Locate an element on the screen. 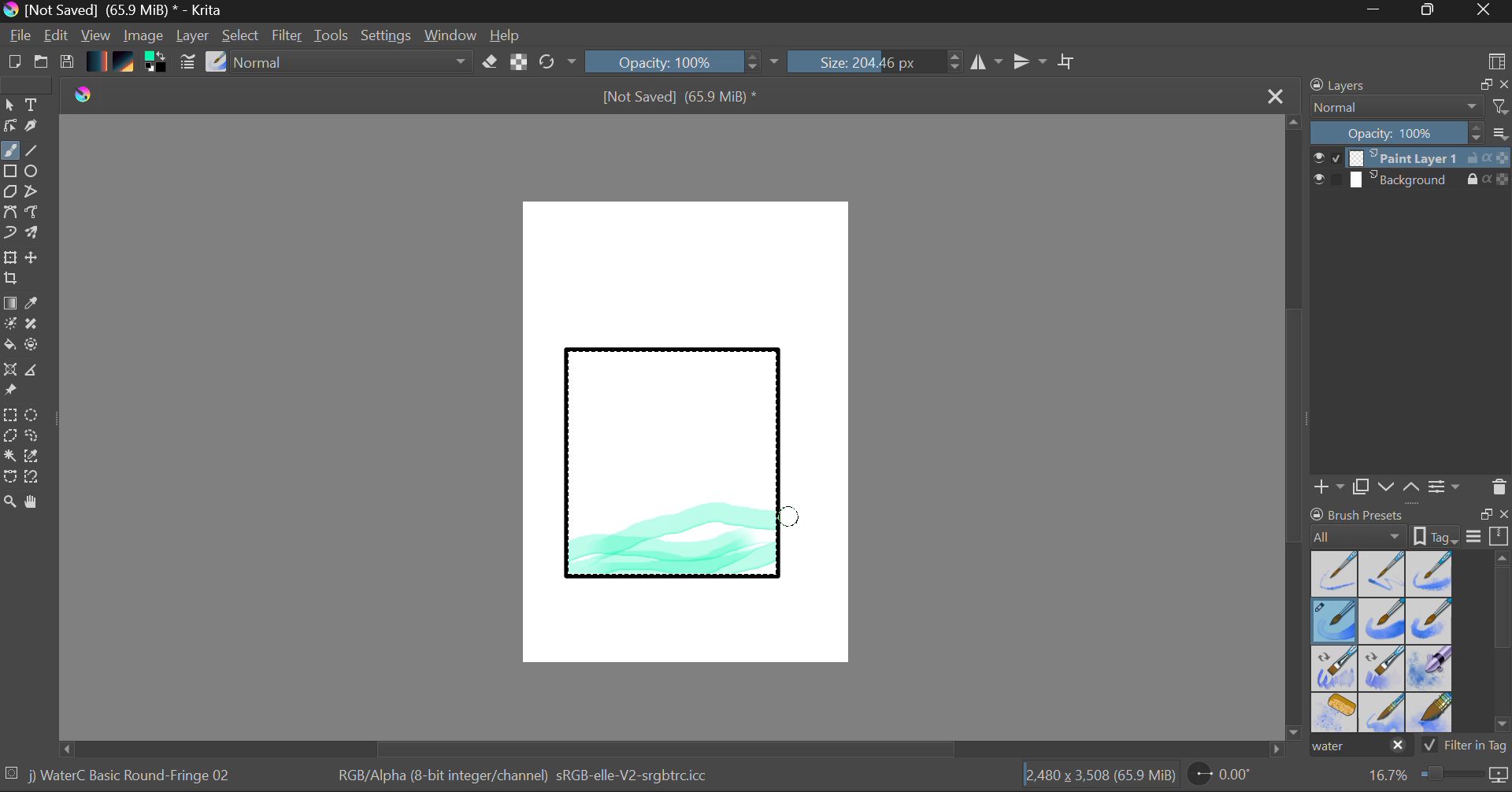 The width and height of the screenshot is (1512, 792). Move Layer Up is located at coordinates (1412, 486).